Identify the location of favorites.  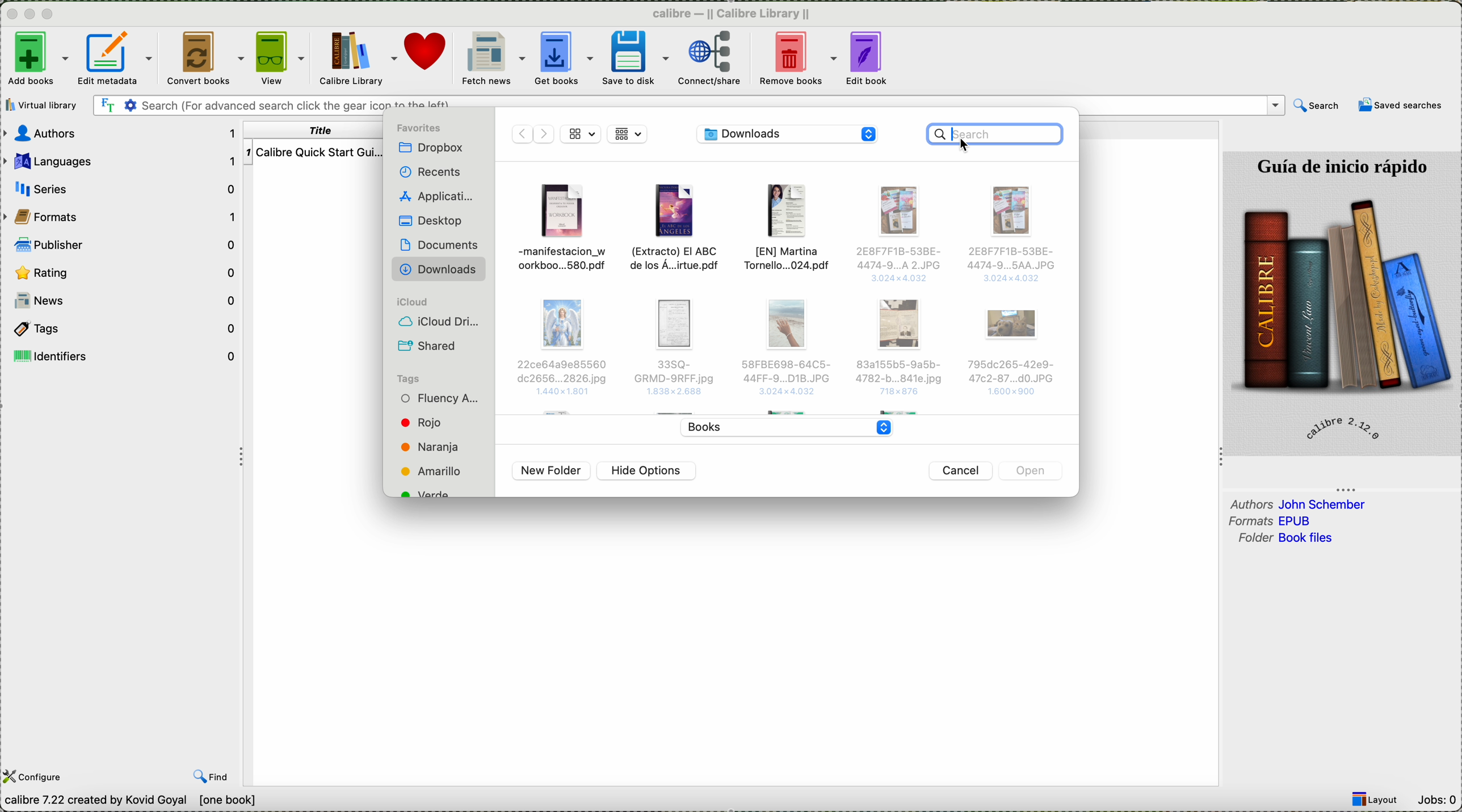
(422, 128).